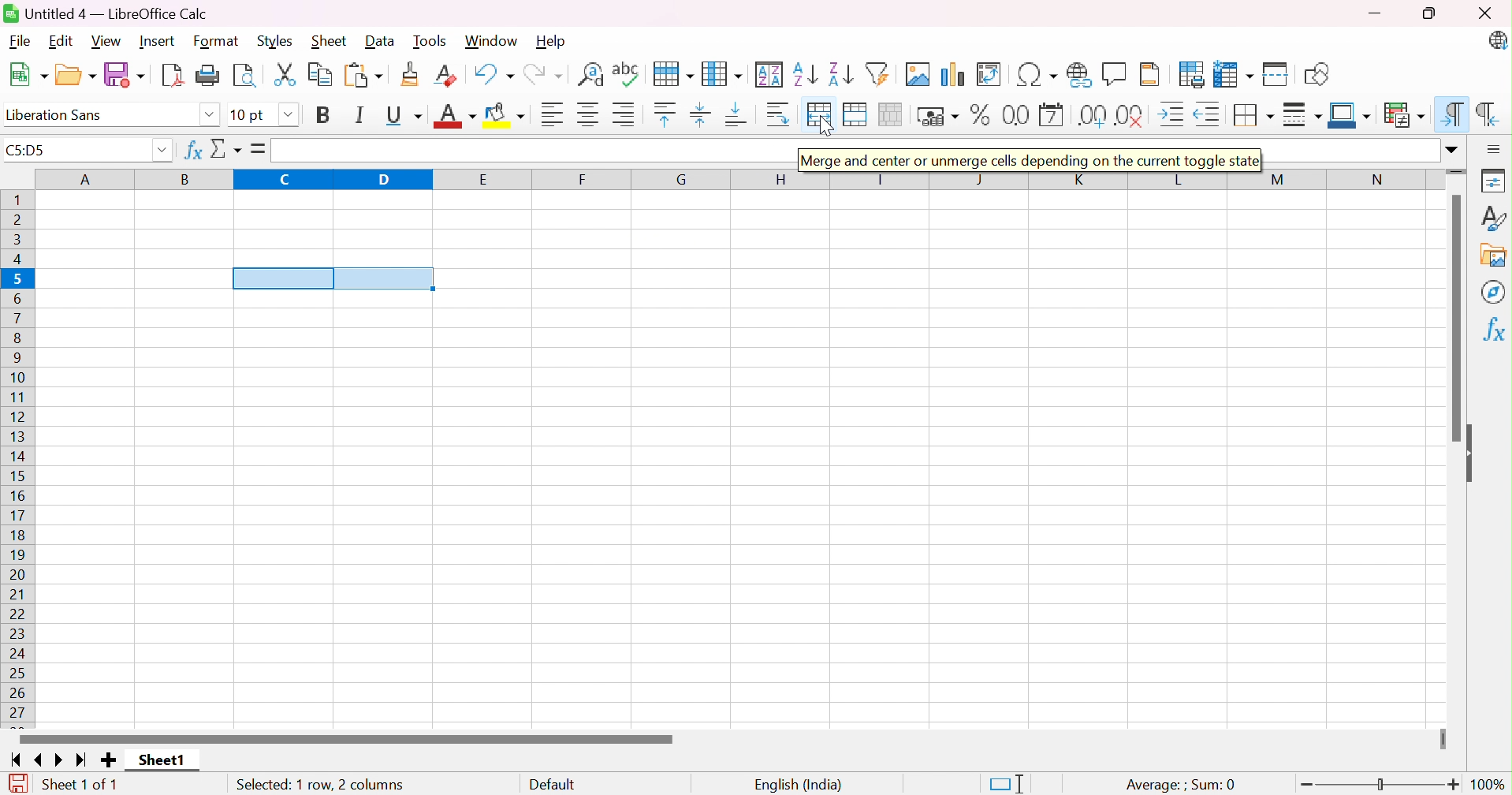 Image resolution: width=1512 pixels, height=795 pixels. I want to click on Bold, so click(324, 115).